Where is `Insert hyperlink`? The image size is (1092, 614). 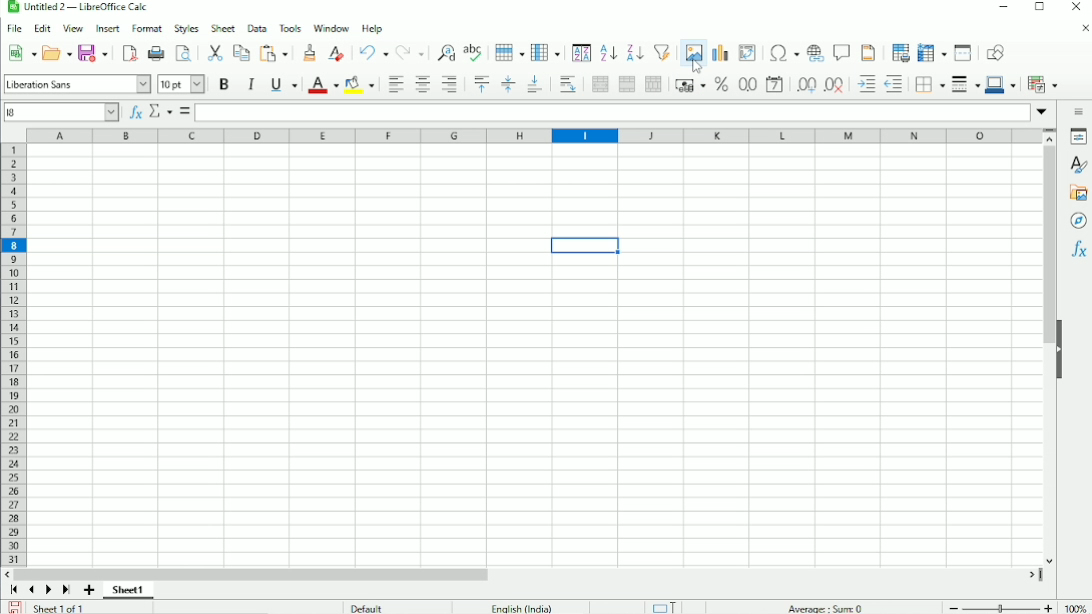
Insert hyperlink is located at coordinates (815, 53).